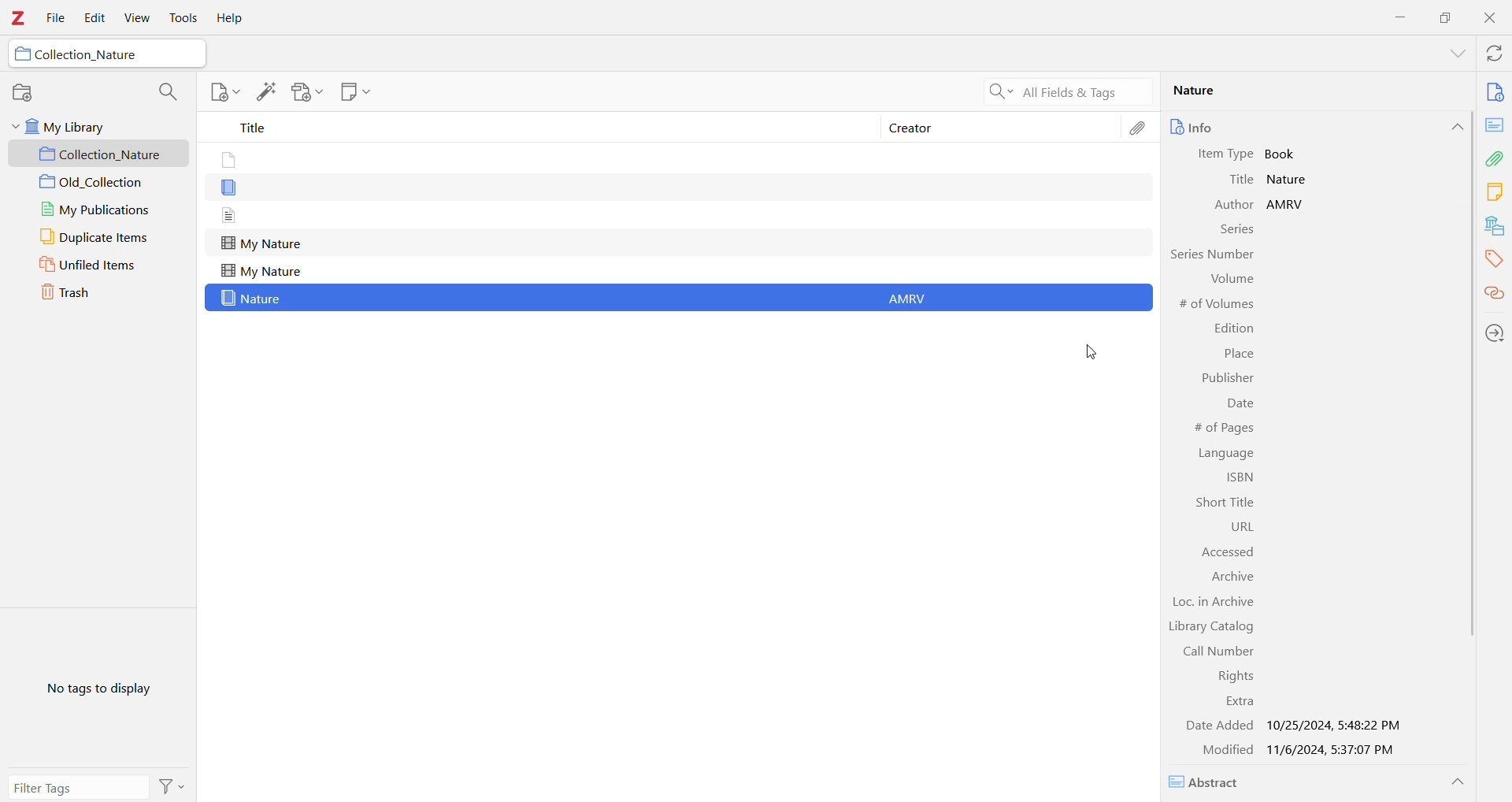 The width and height of the screenshot is (1512, 802). I want to click on Modified 11/6/2024, 5:37:07 PM, so click(1292, 748).